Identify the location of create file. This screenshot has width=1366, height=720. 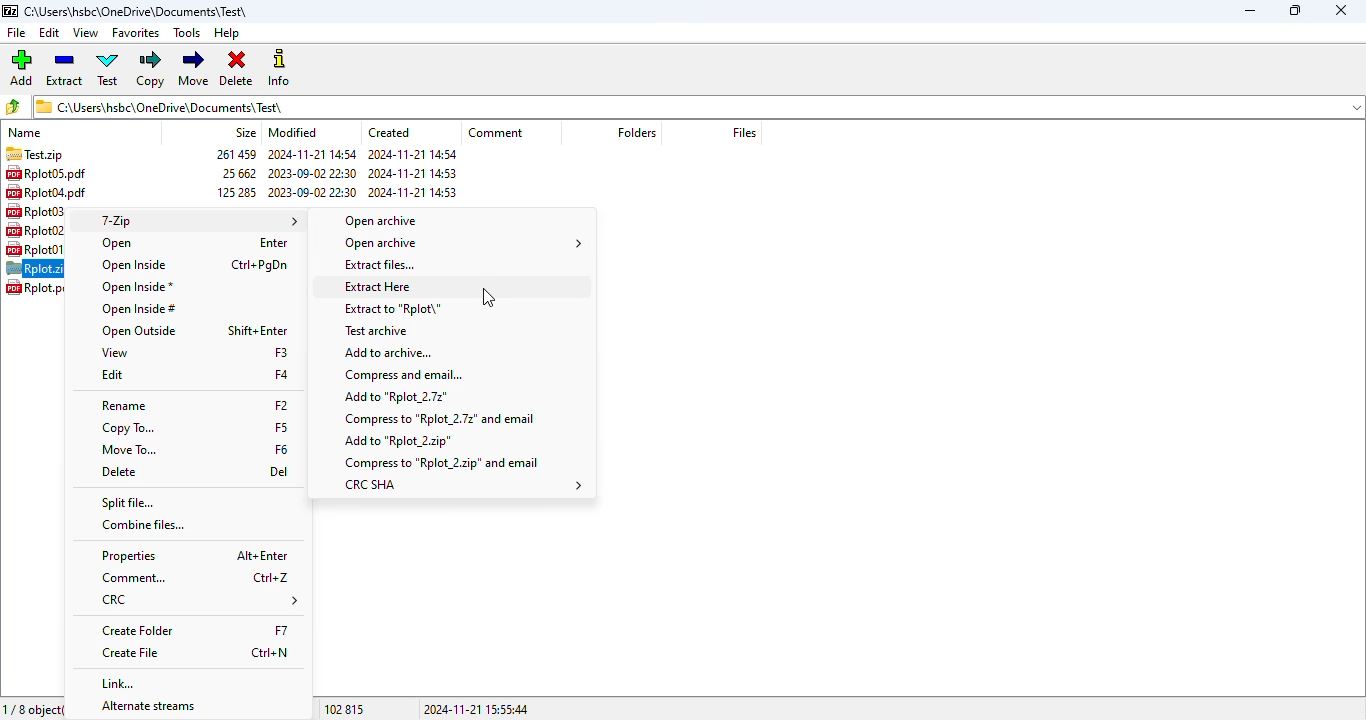
(130, 653).